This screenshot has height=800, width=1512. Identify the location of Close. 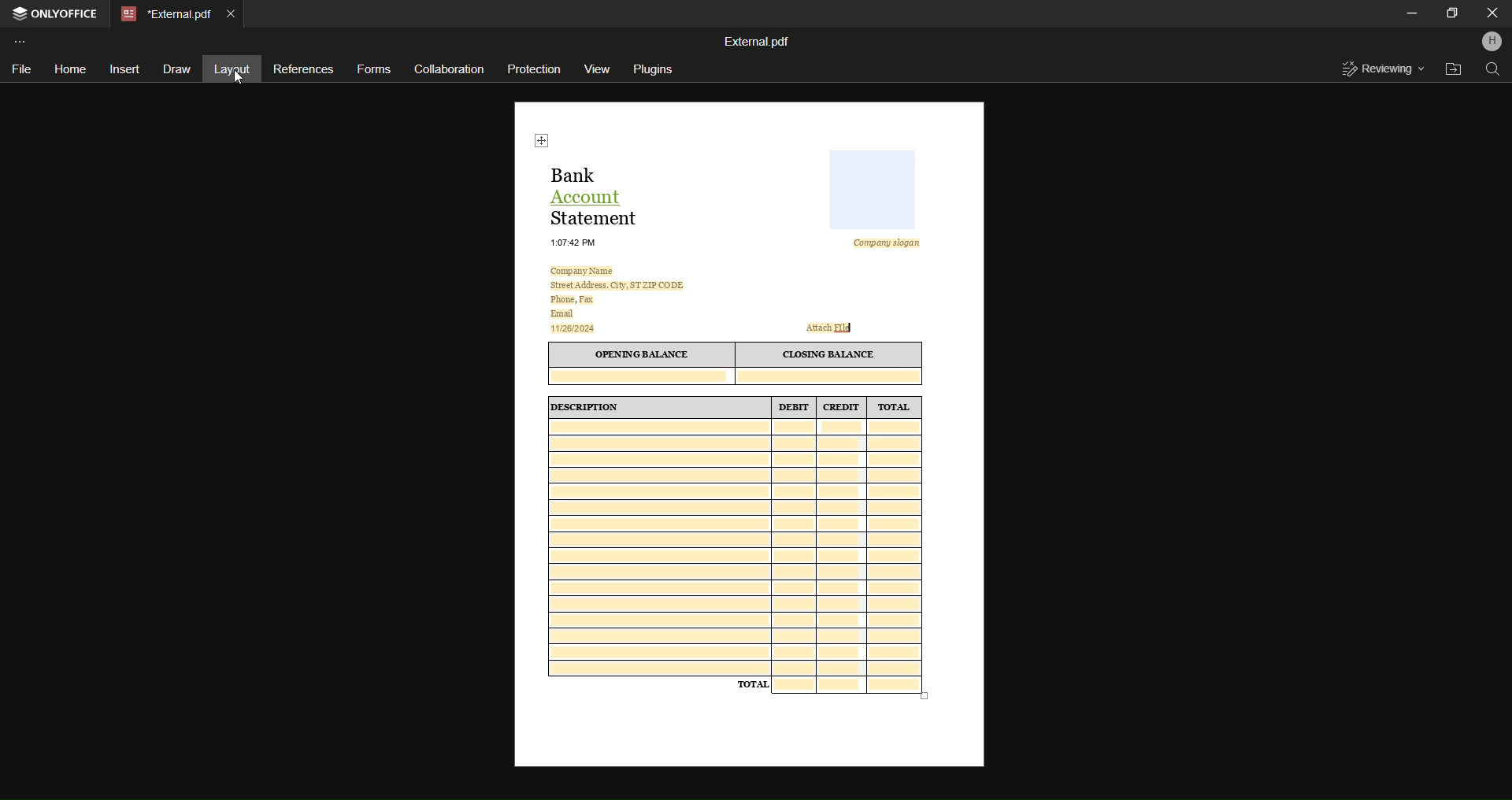
(1492, 15).